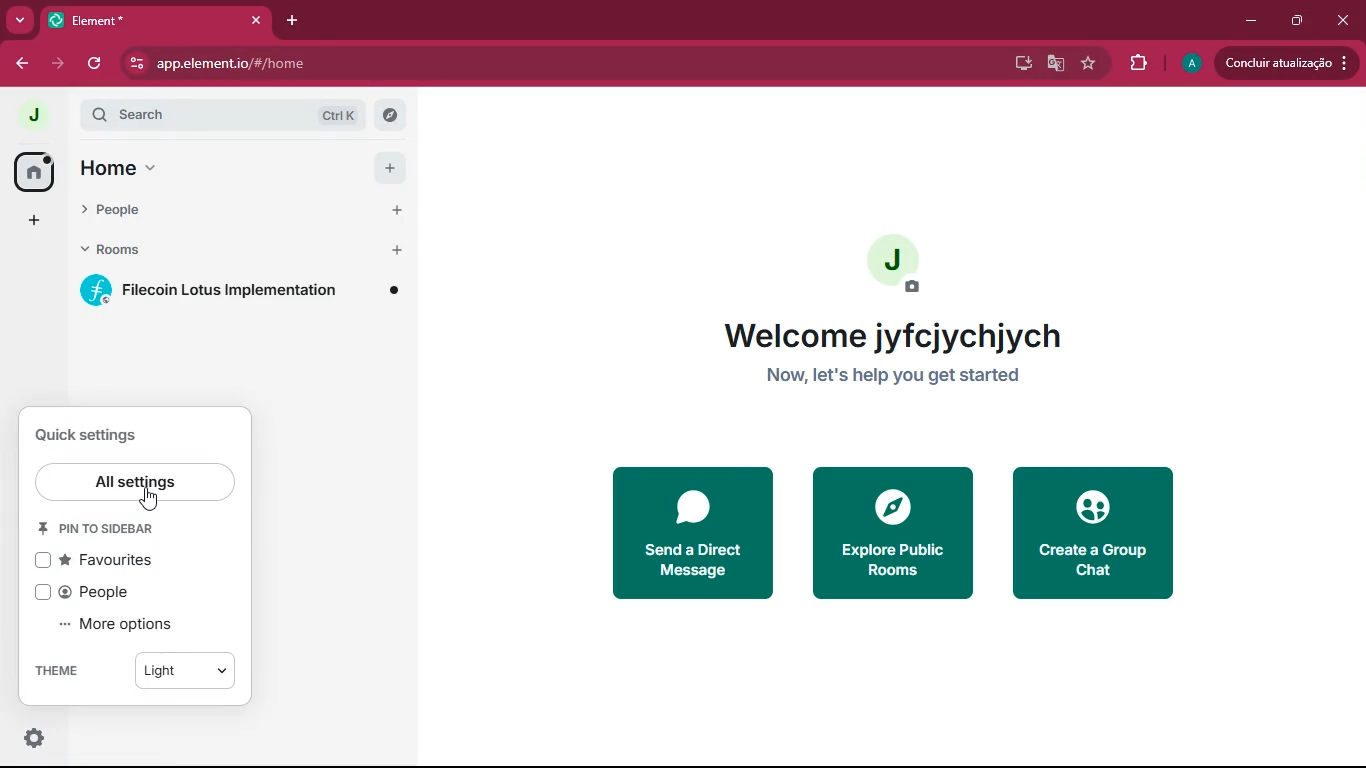  What do you see at coordinates (138, 206) in the screenshot?
I see `people` at bounding box center [138, 206].